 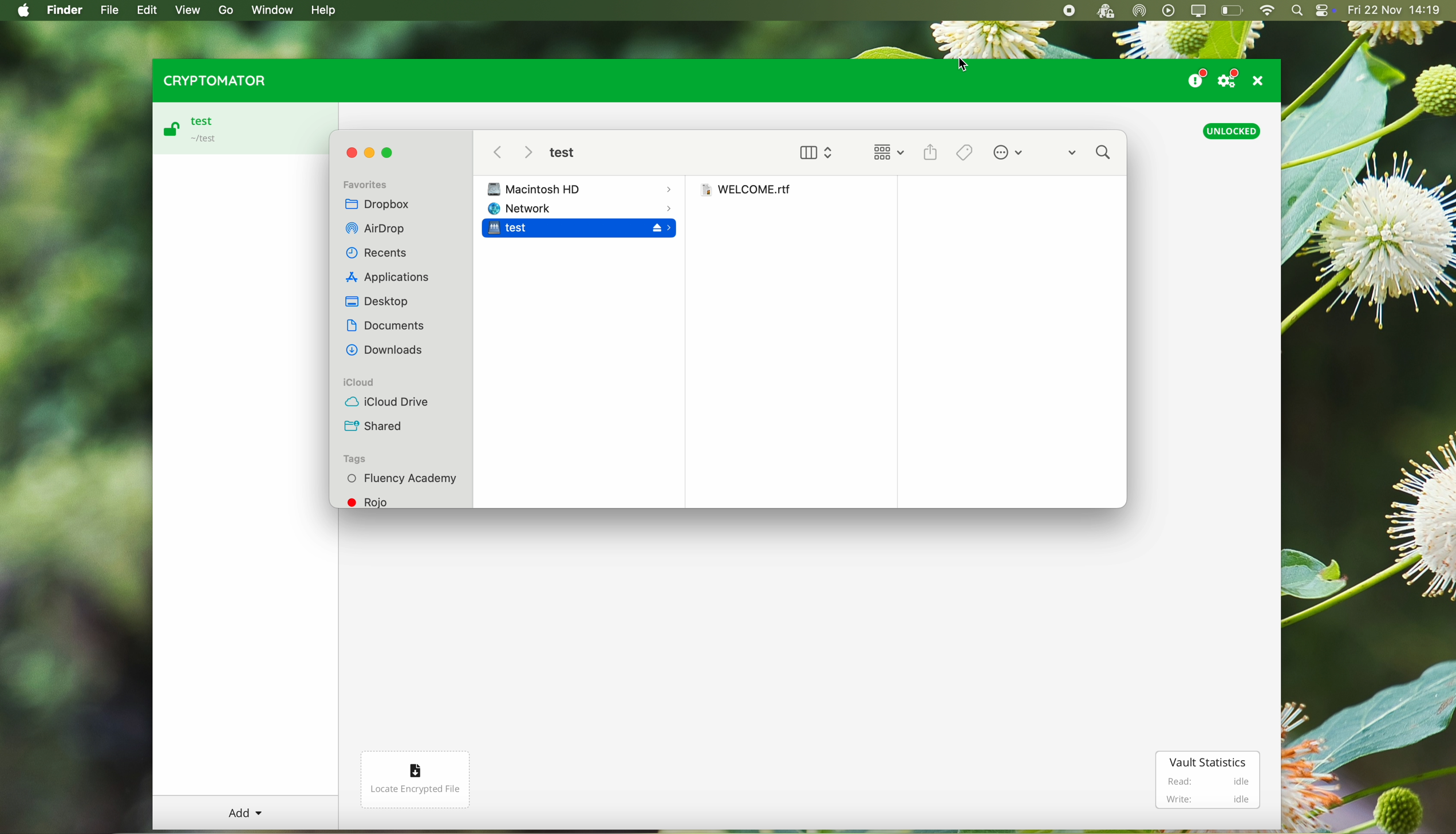 I want to click on cursor, so click(x=964, y=64).